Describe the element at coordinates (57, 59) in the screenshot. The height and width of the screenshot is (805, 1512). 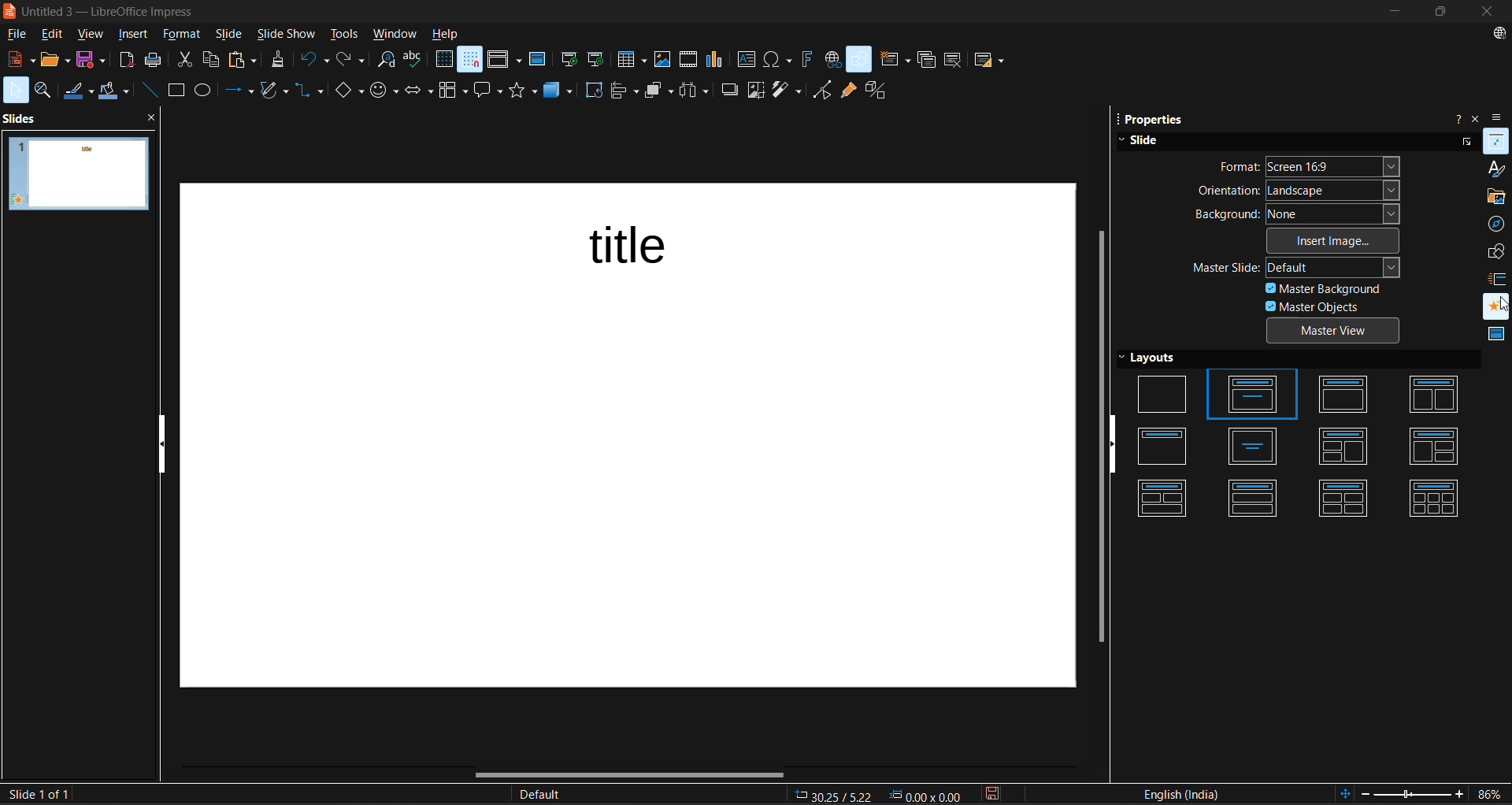
I see `open` at that location.